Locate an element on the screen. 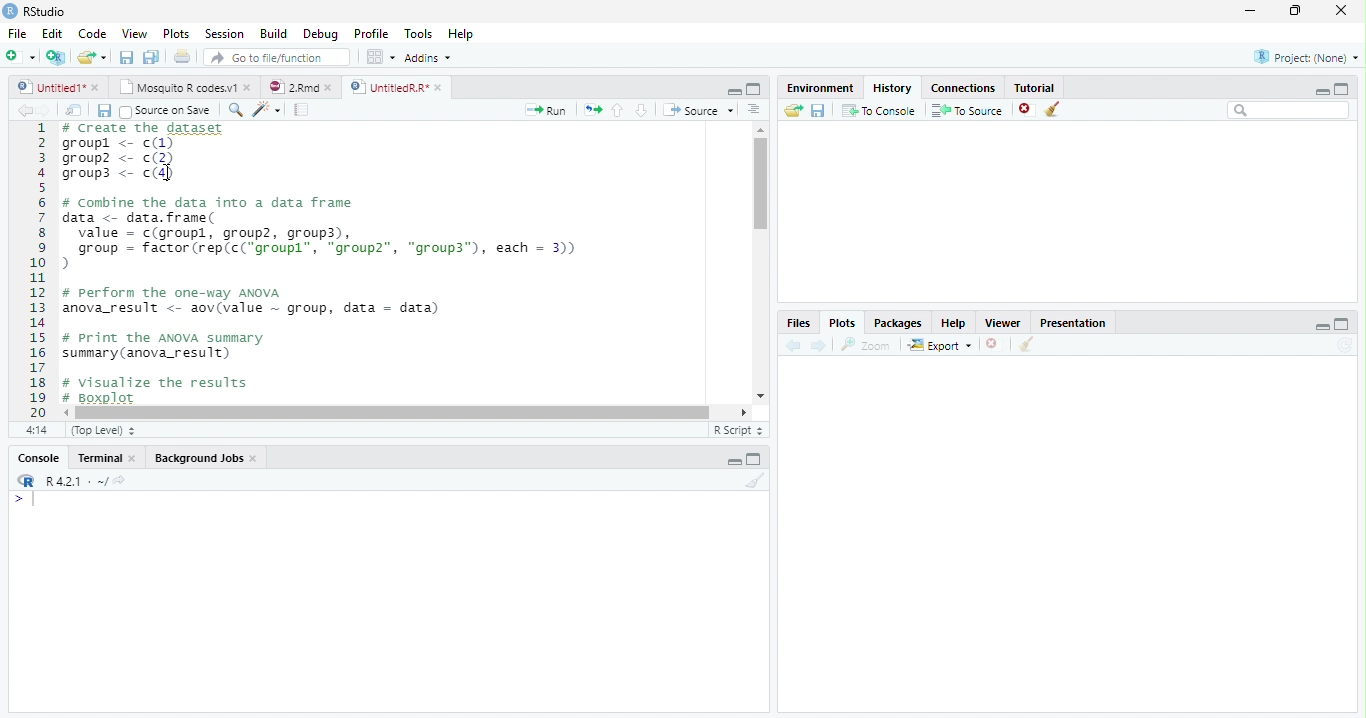 Image resolution: width=1366 pixels, height=718 pixels. View is located at coordinates (134, 35).